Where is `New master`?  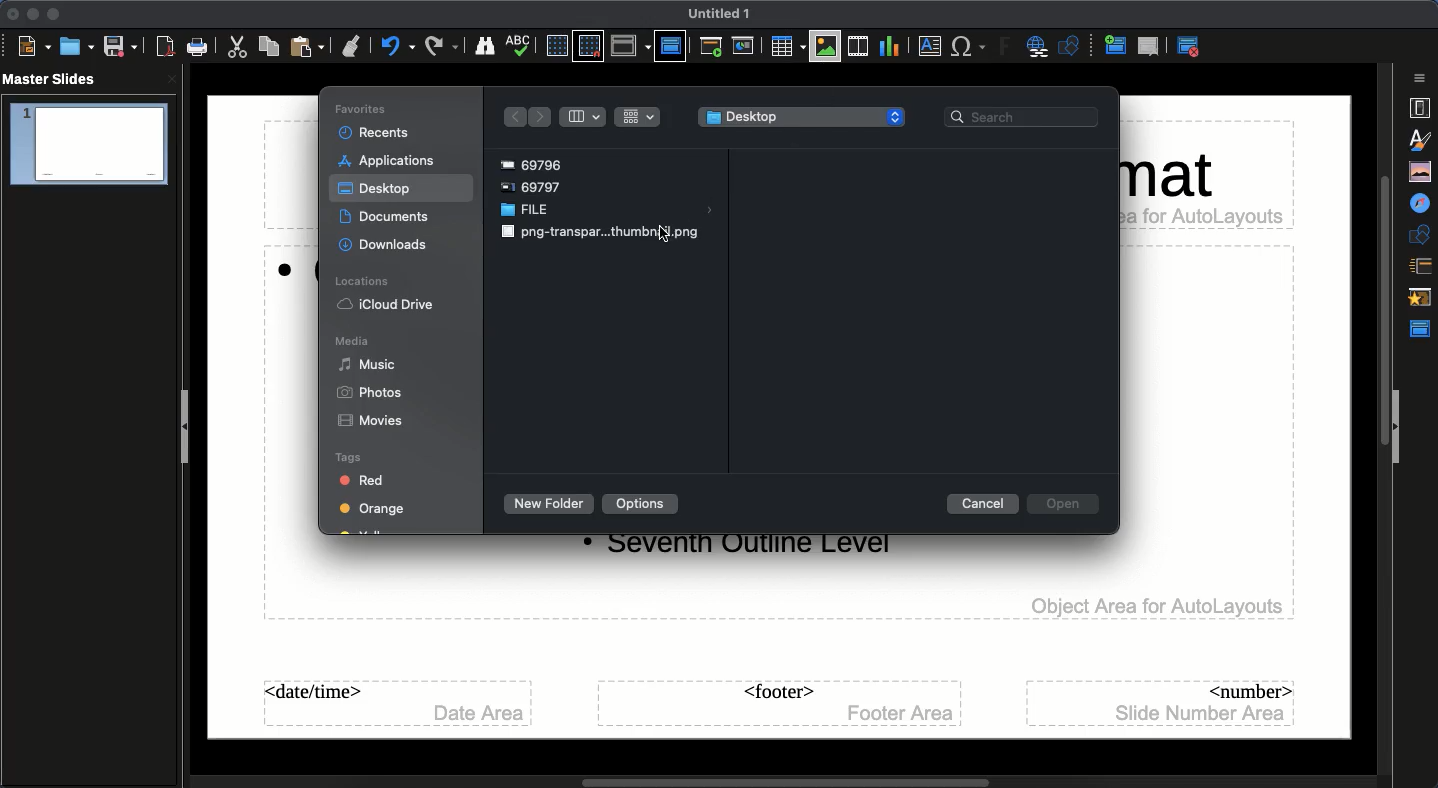
New master is located at coordinates (1113, 47).